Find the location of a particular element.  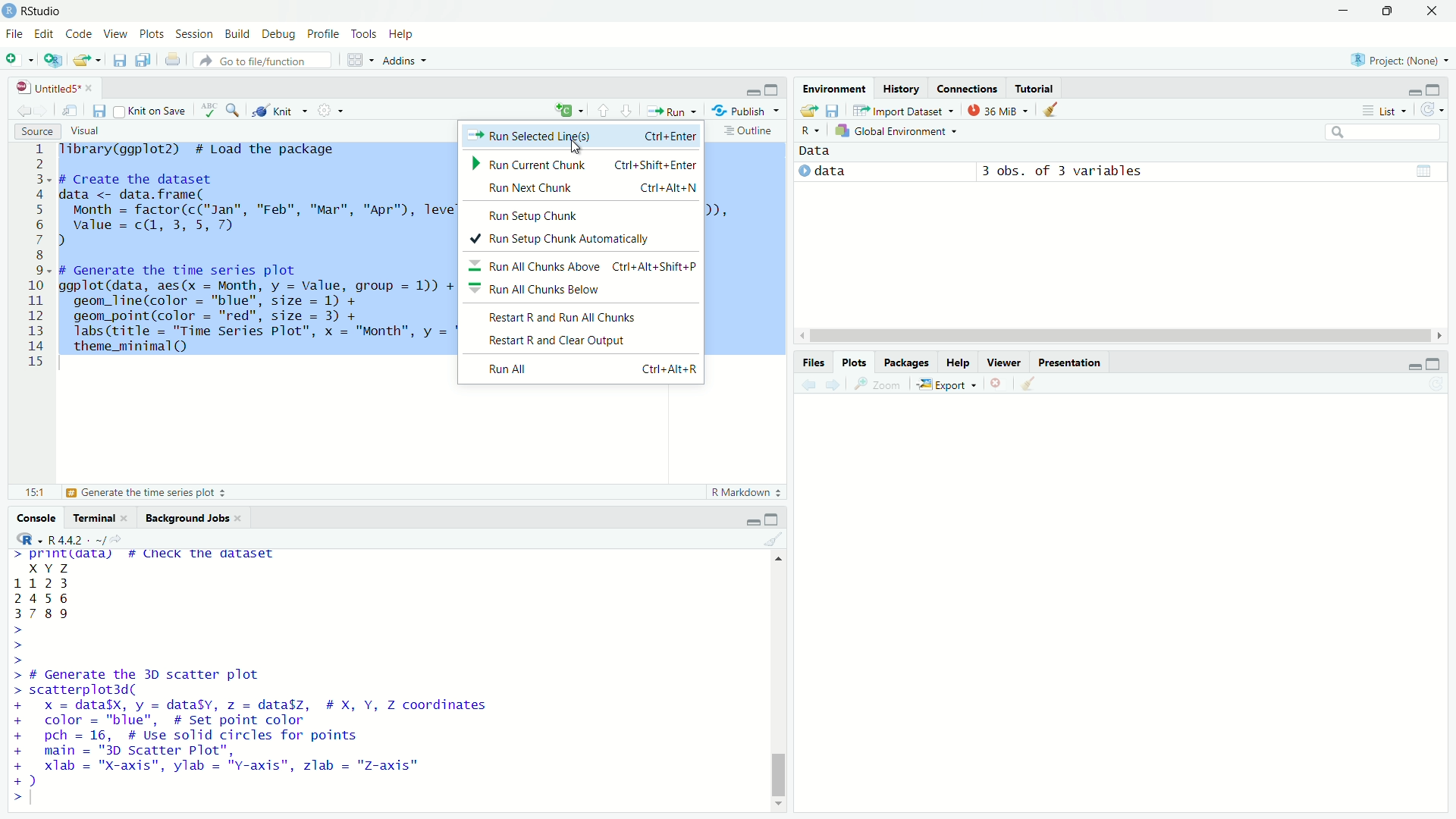

clear objects from the workspace is located at coordinates (1053, 111).